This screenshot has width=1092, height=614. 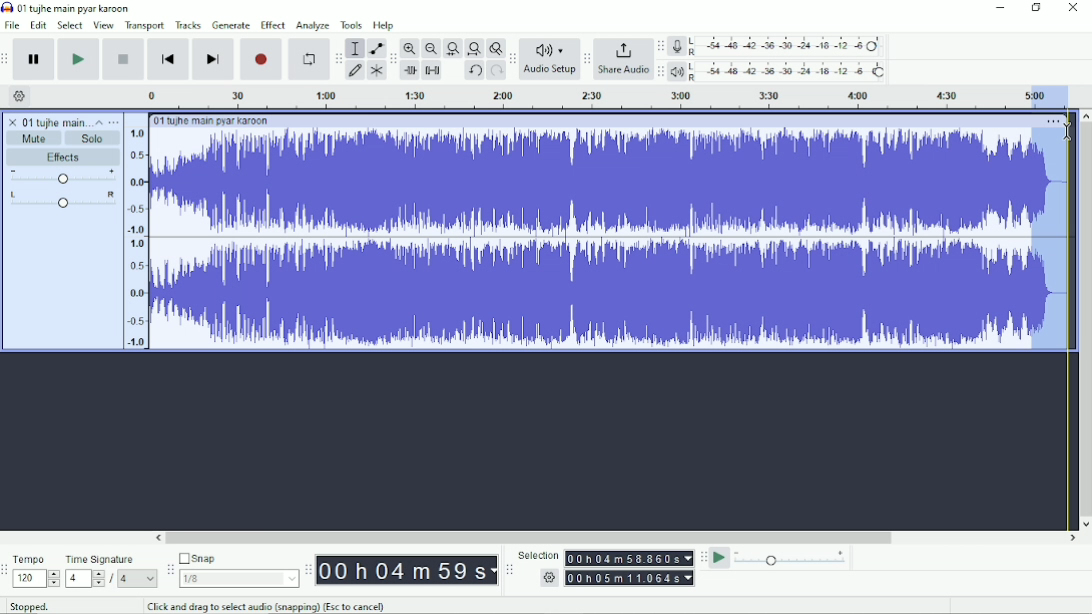 I want to click on Edit, so click(x=39, y=26).